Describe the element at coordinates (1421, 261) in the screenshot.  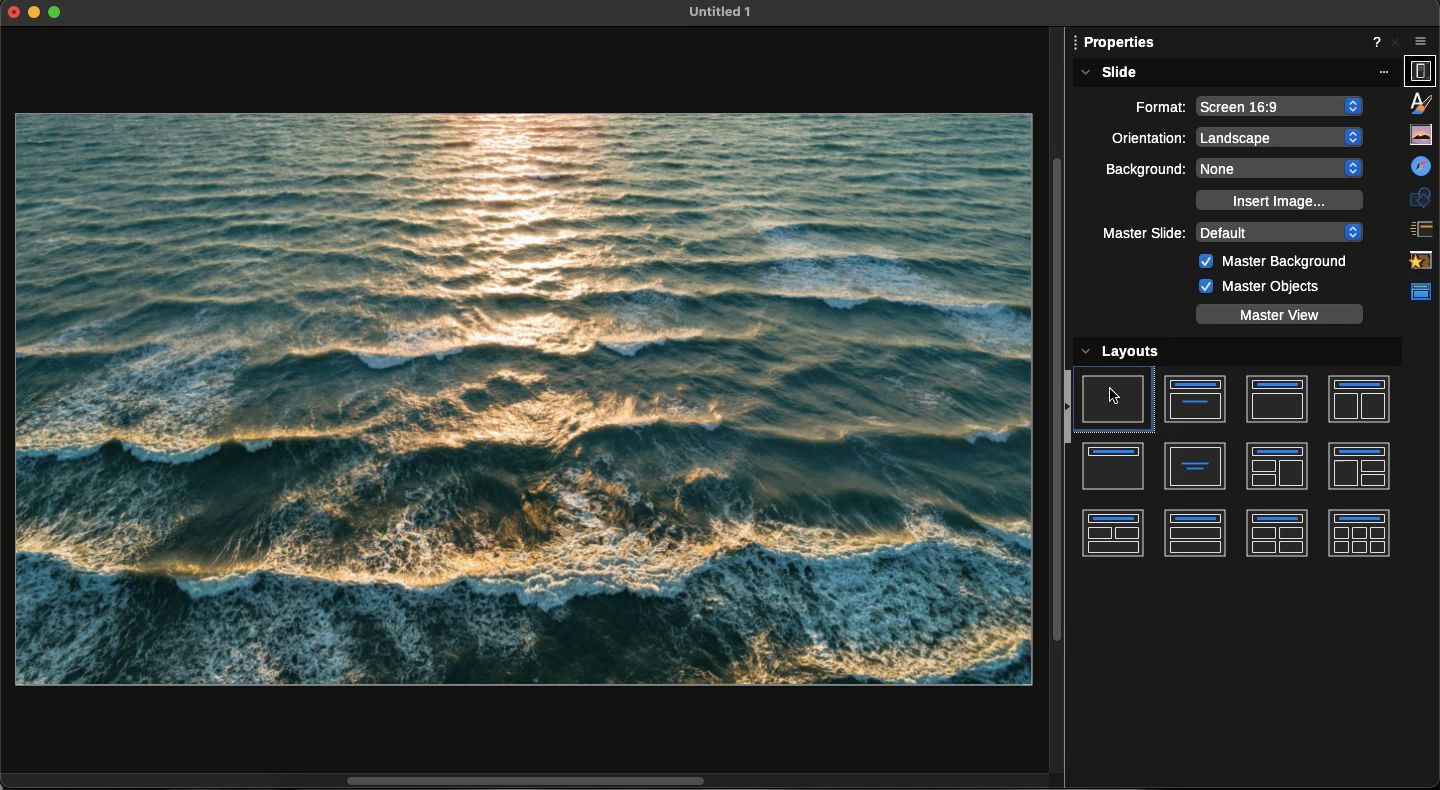
I see `Animation` at that location.